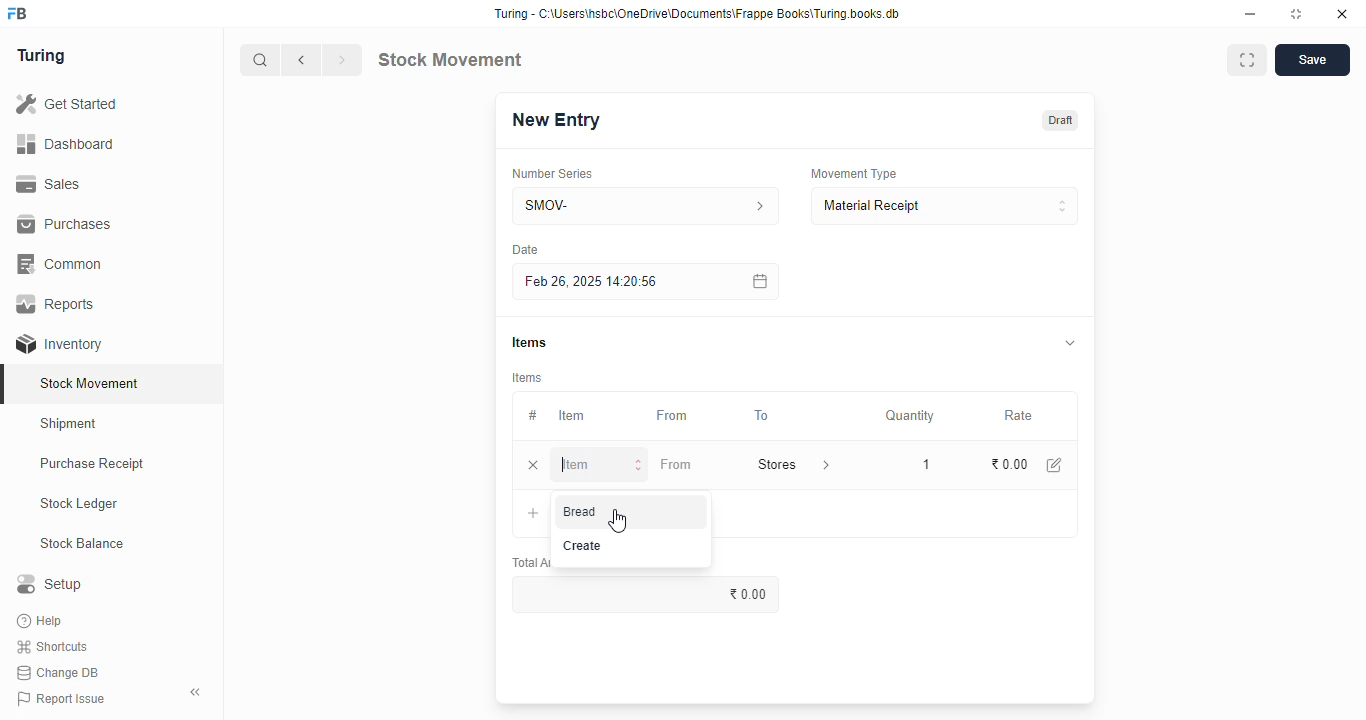  I want to click on total amount, so click(529, 563).